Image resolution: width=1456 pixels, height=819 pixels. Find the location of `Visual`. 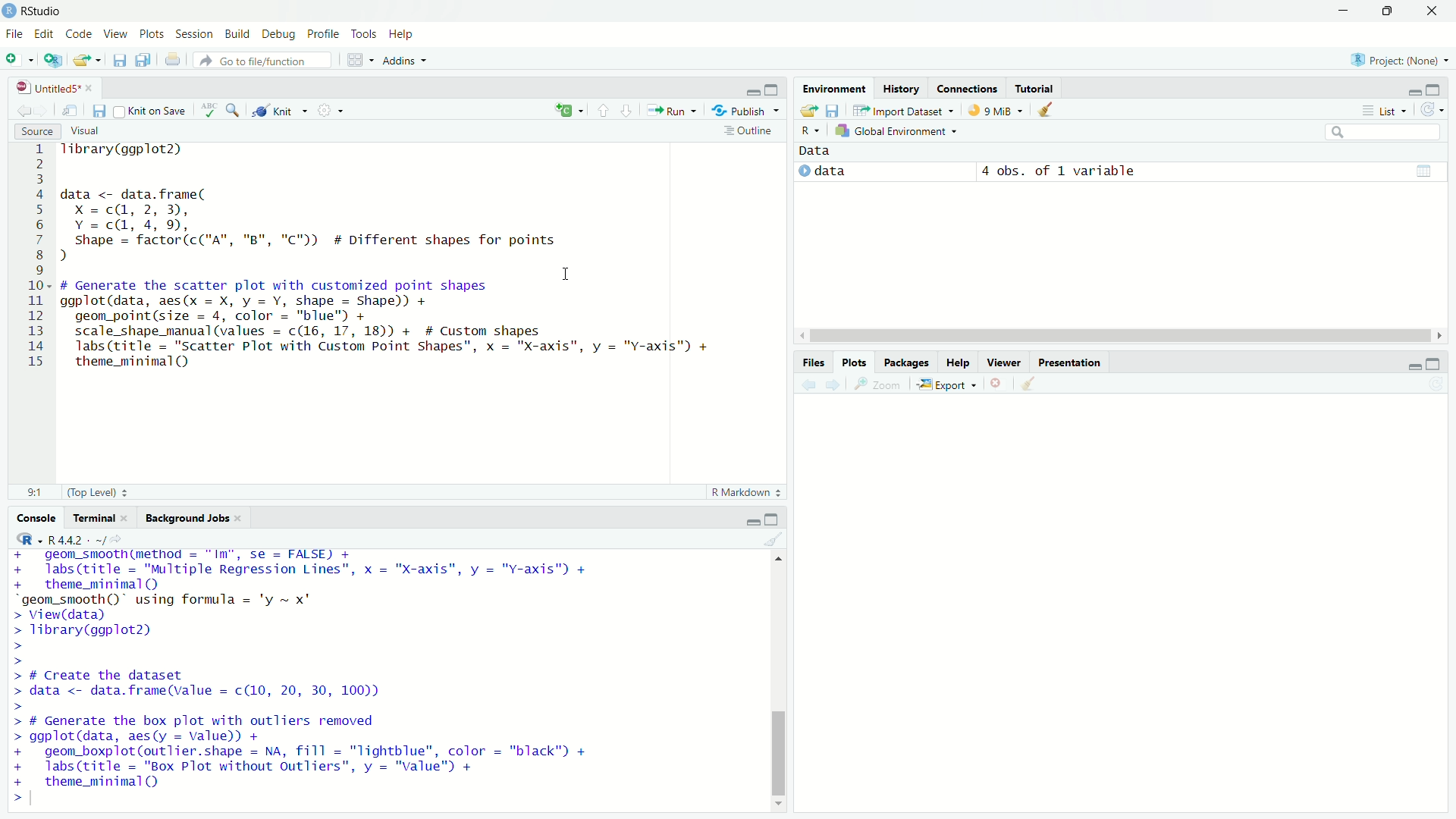

Visual is located at coordinates (84, 131).